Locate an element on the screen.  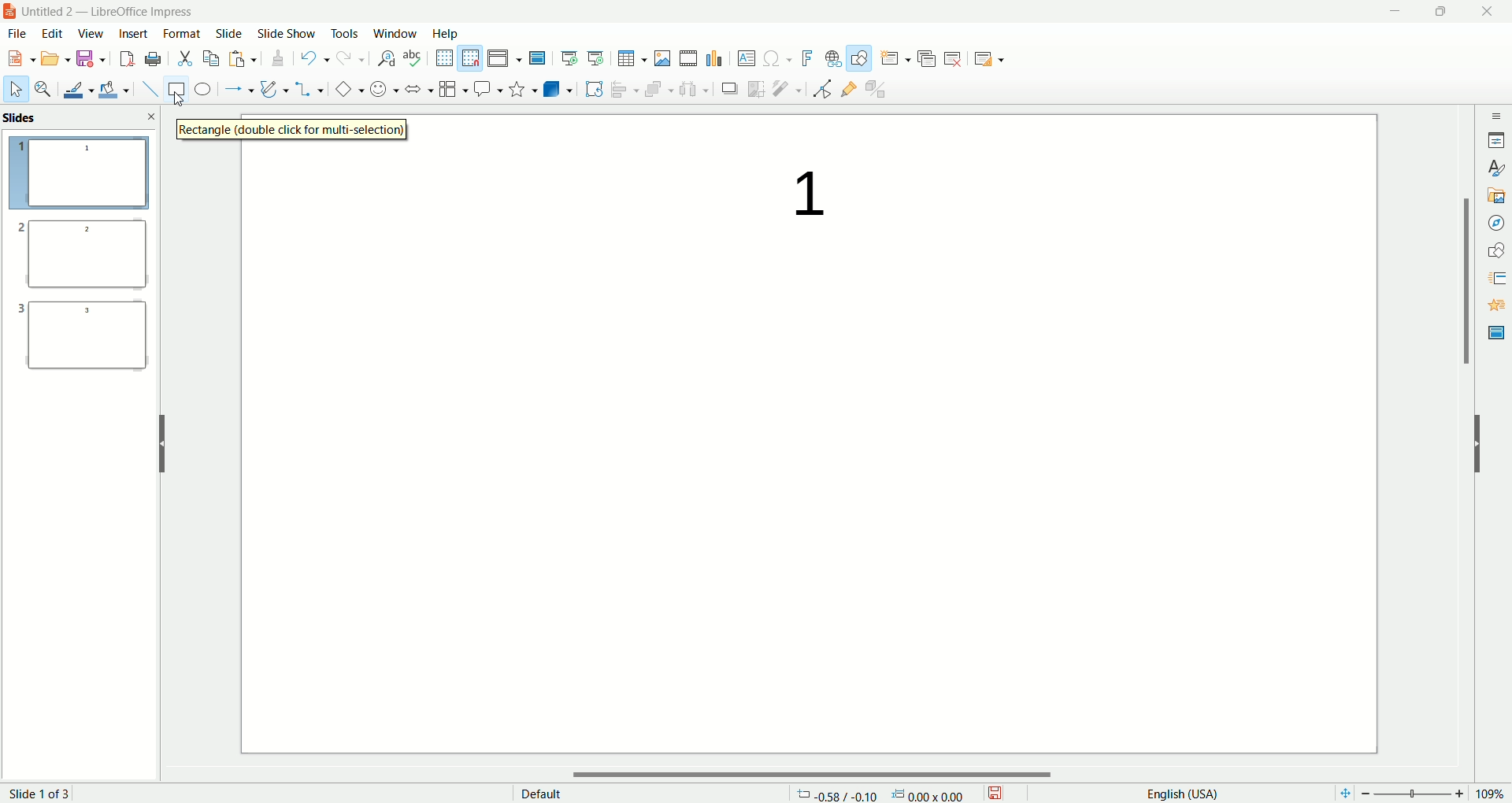
start from first slide is located at coordinates (570, 56).